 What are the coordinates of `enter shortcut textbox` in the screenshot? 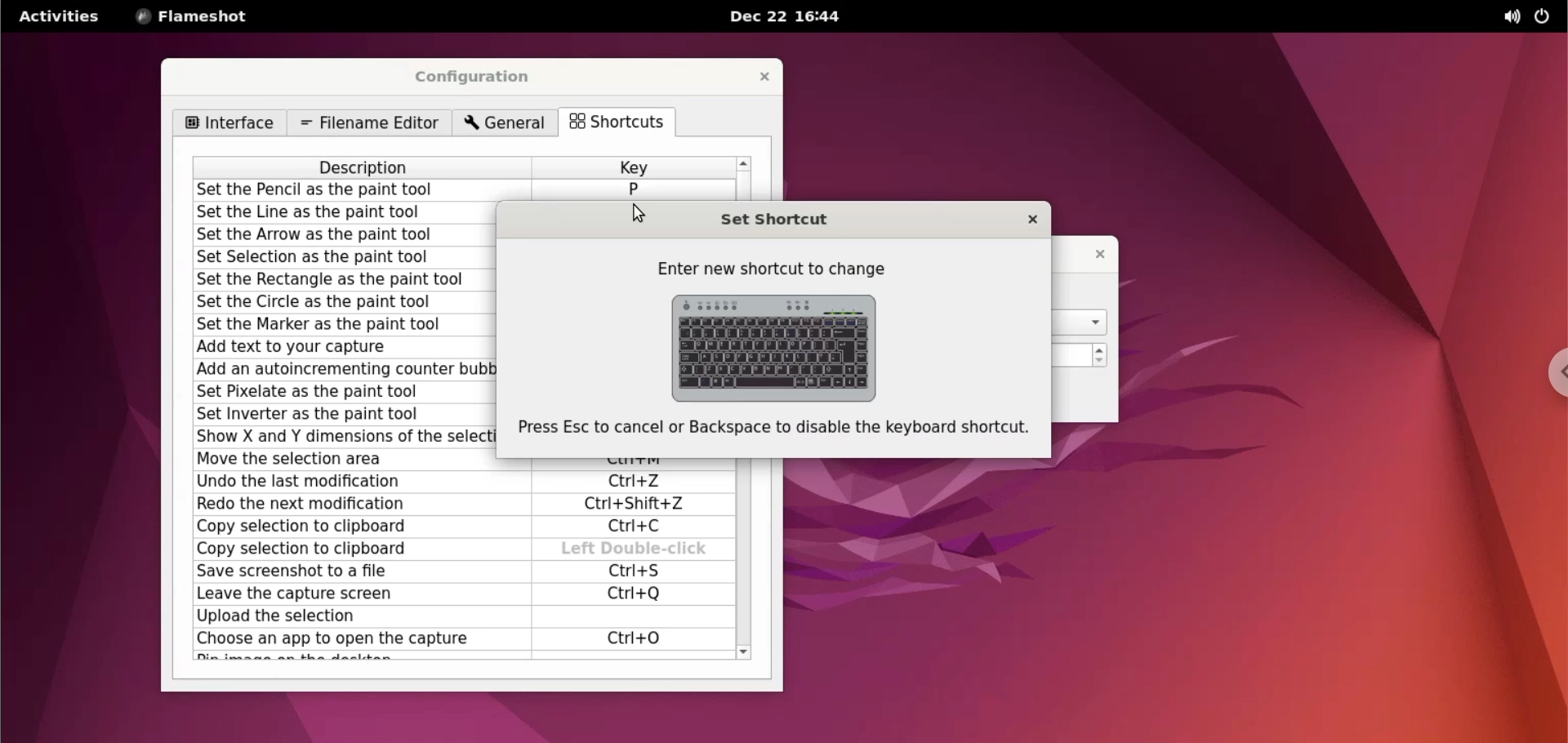 It's located at (625, 617).